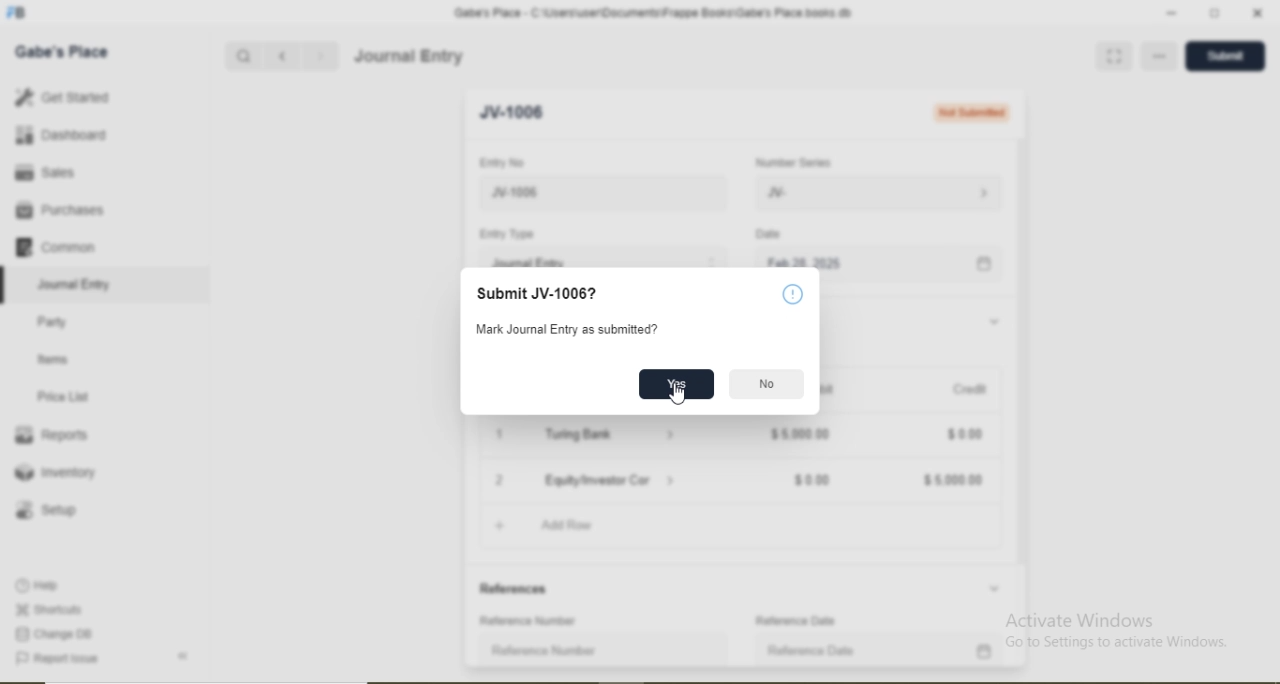  I want to click on JV-1006, so click(520, 113).